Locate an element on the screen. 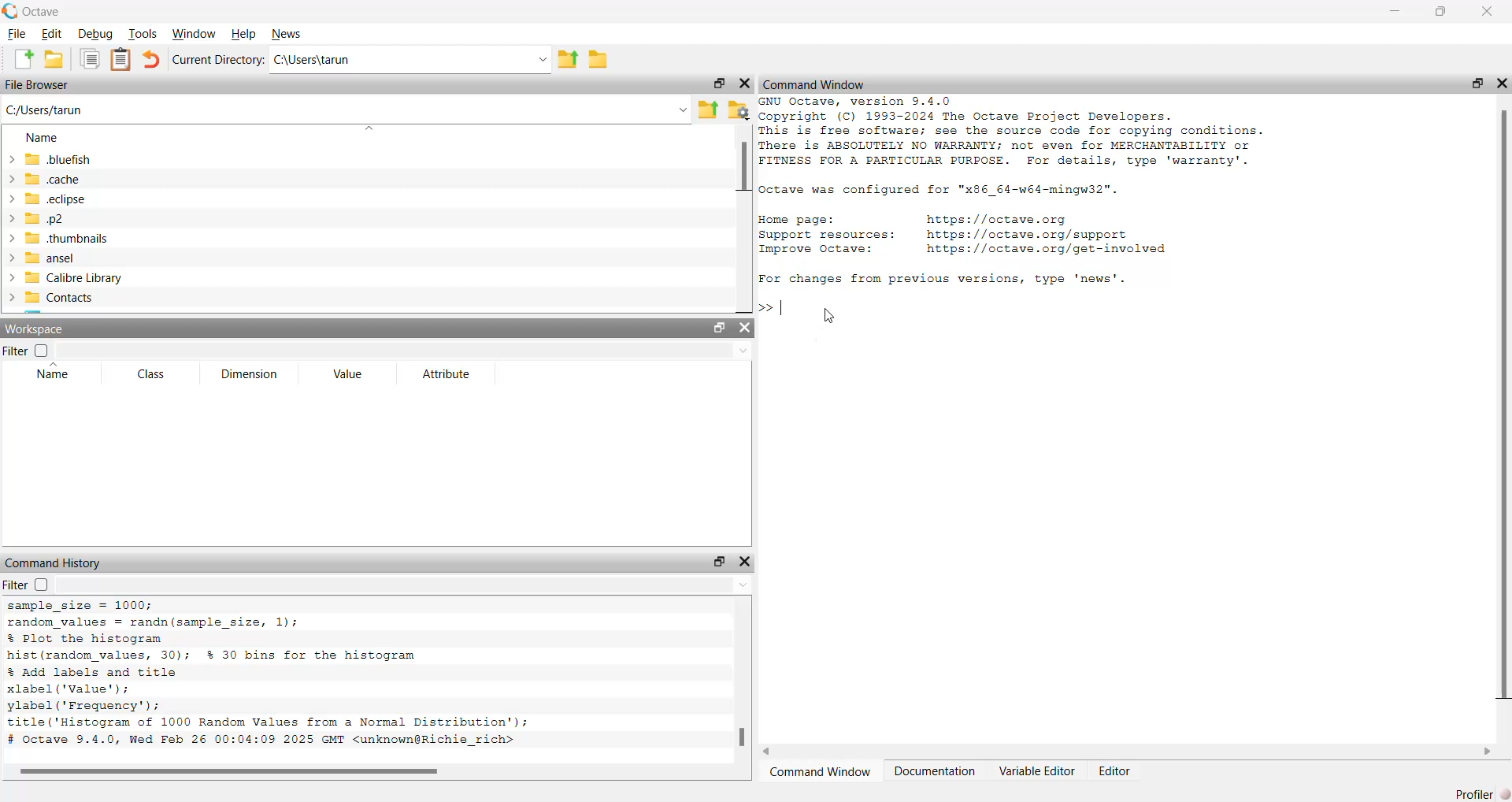 This screenshot has height=802, width=1512. undo is located at coordinates (151, 58).